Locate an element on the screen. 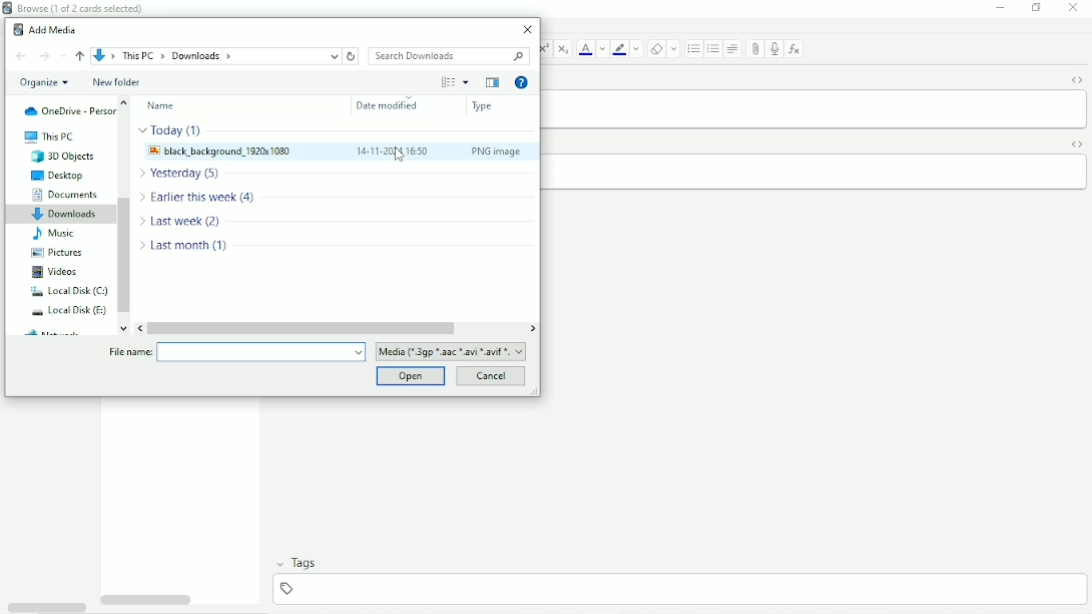 The height and width of the screenshot is (614, 1092). Toggle HTML Editor is located at coordinates (1080, 80).